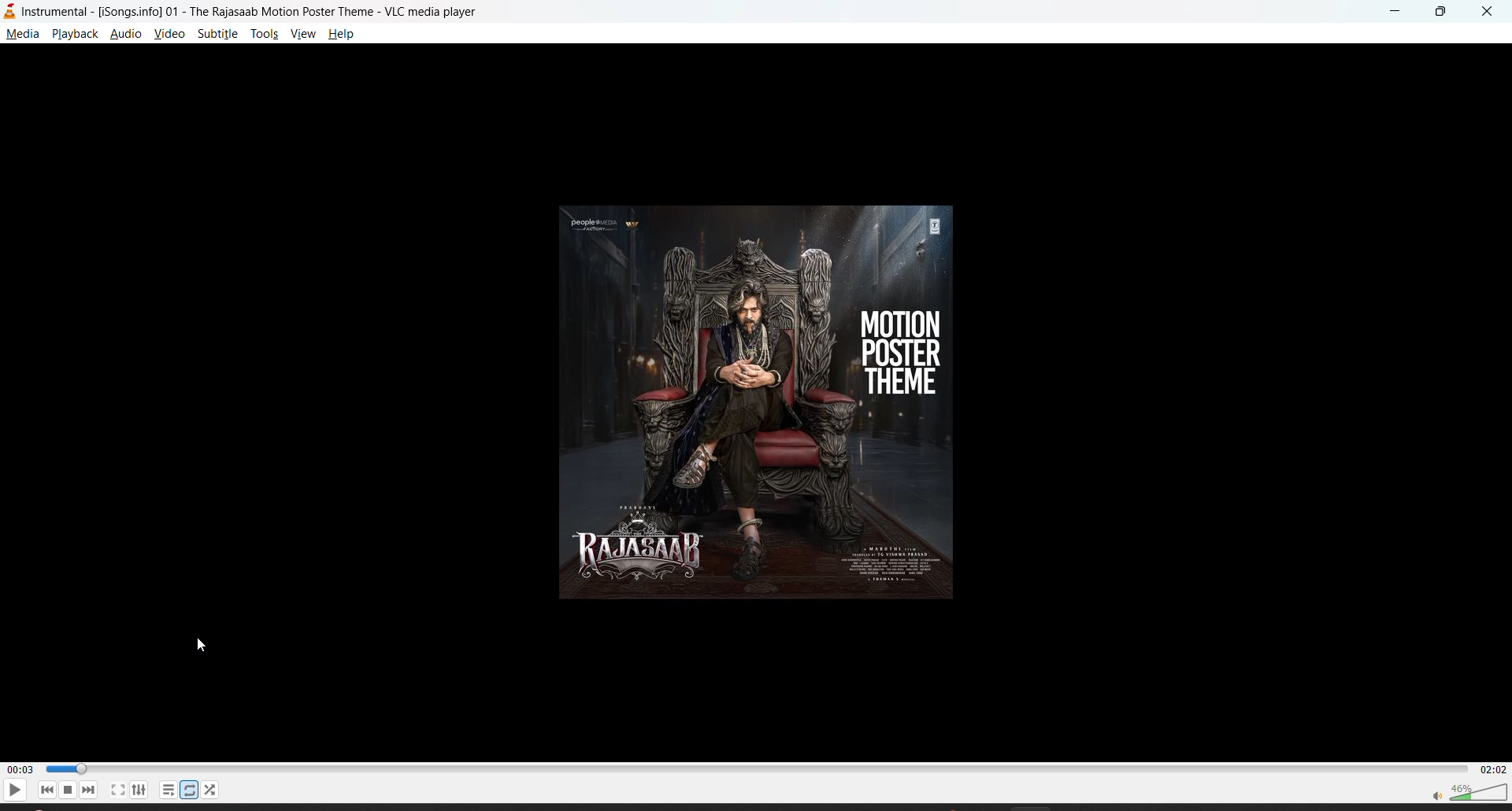 The width and height of the screenshot is (1512, 811). I want to click on media, so click(23, 33).